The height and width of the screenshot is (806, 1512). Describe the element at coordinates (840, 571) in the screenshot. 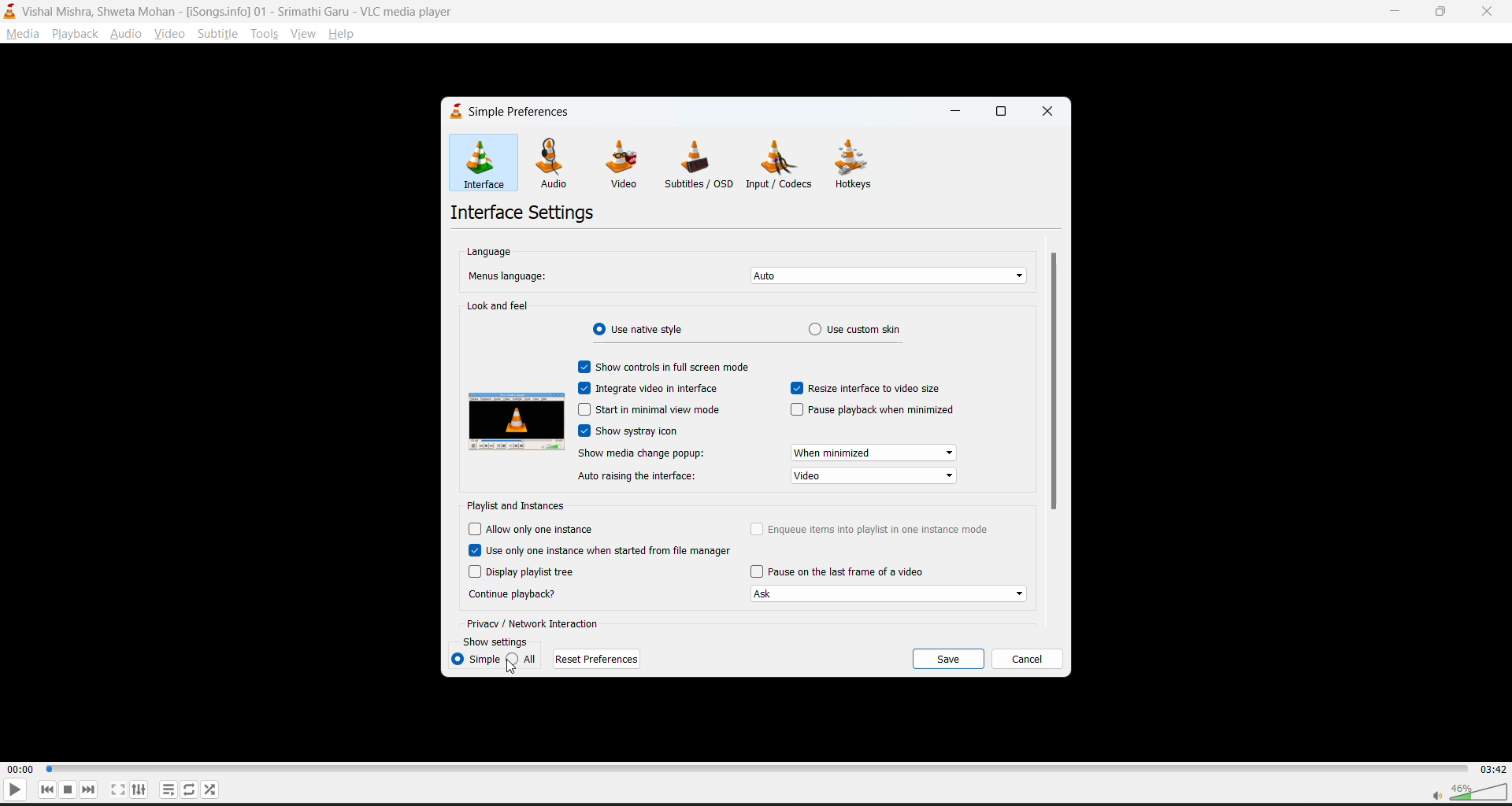

I see `pause on last frame` at that location.